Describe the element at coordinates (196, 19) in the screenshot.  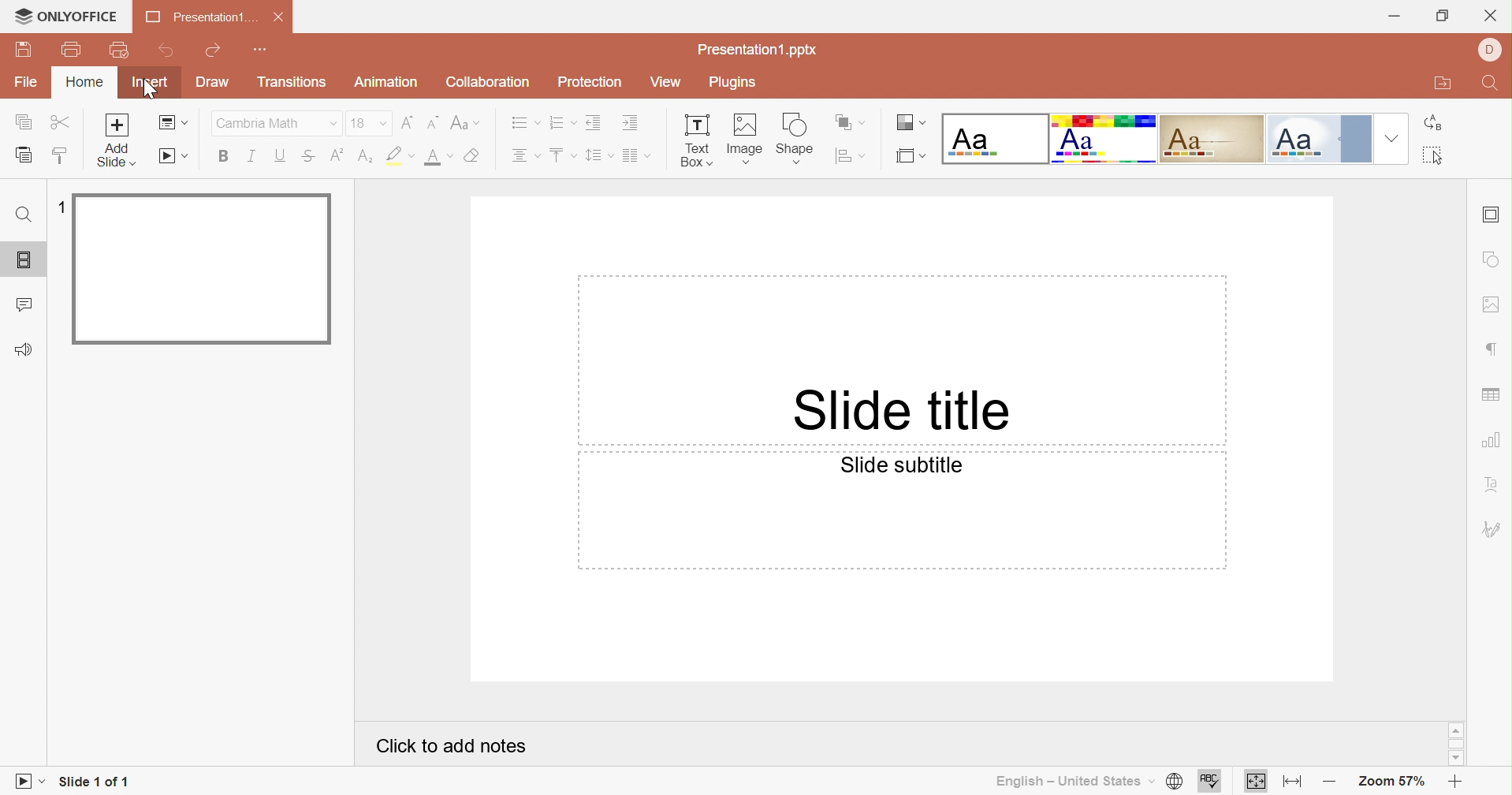
I see `Presentation1` at that location.